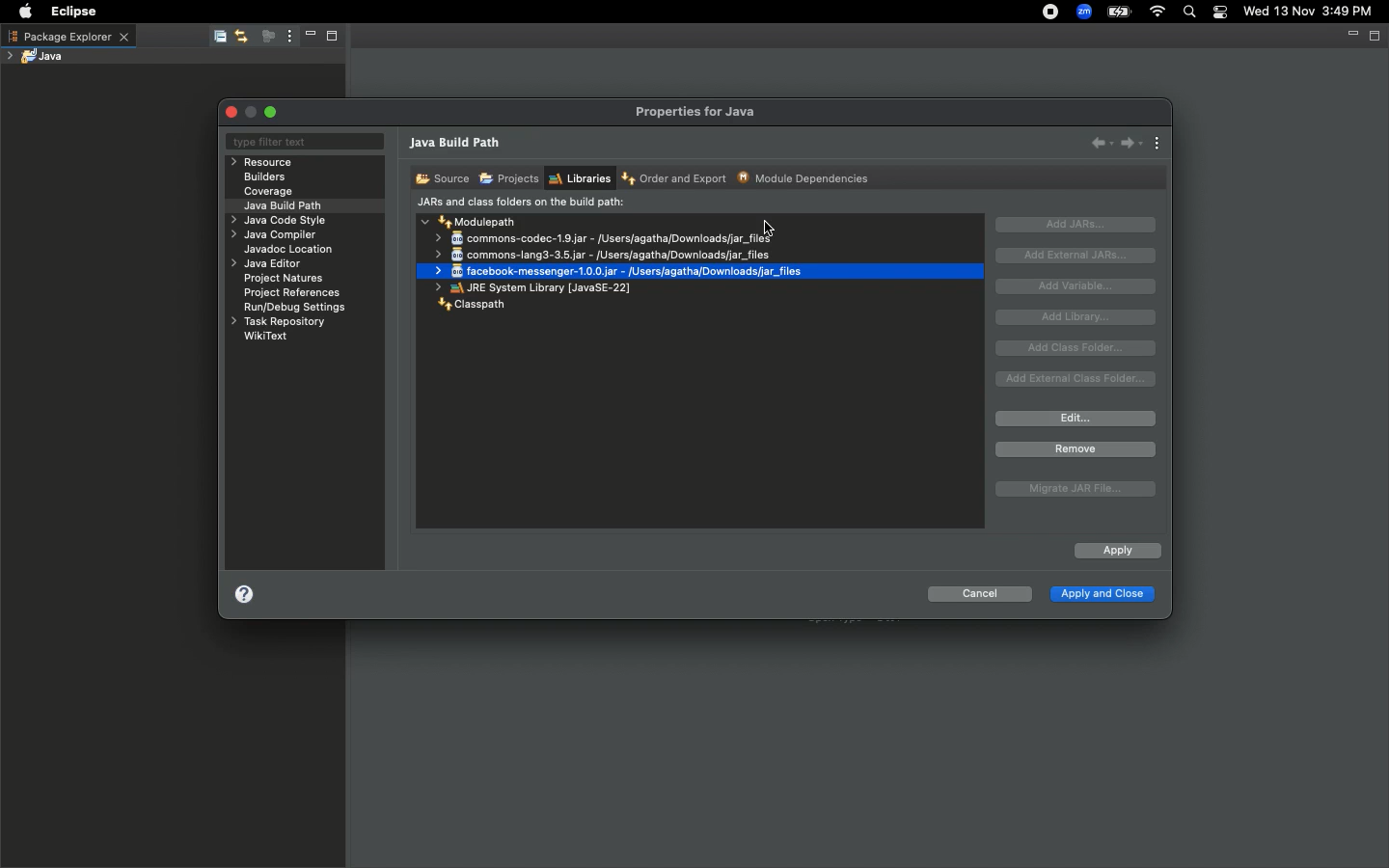  Describe the element at coordinates (266, 336) in the screenshot. I see `WikiText` at that location.